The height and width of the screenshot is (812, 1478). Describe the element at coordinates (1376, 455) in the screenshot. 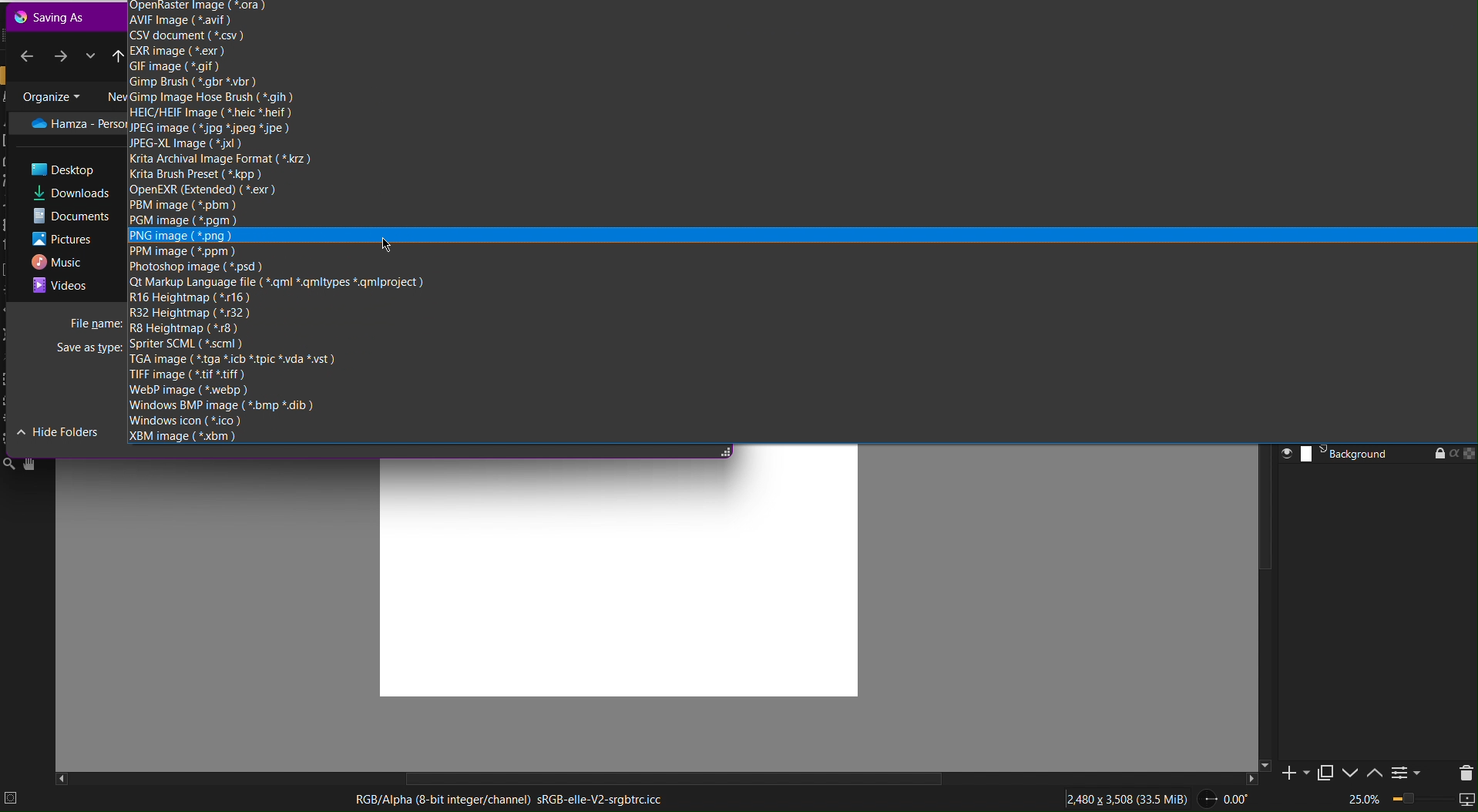

I see `background` at that location.